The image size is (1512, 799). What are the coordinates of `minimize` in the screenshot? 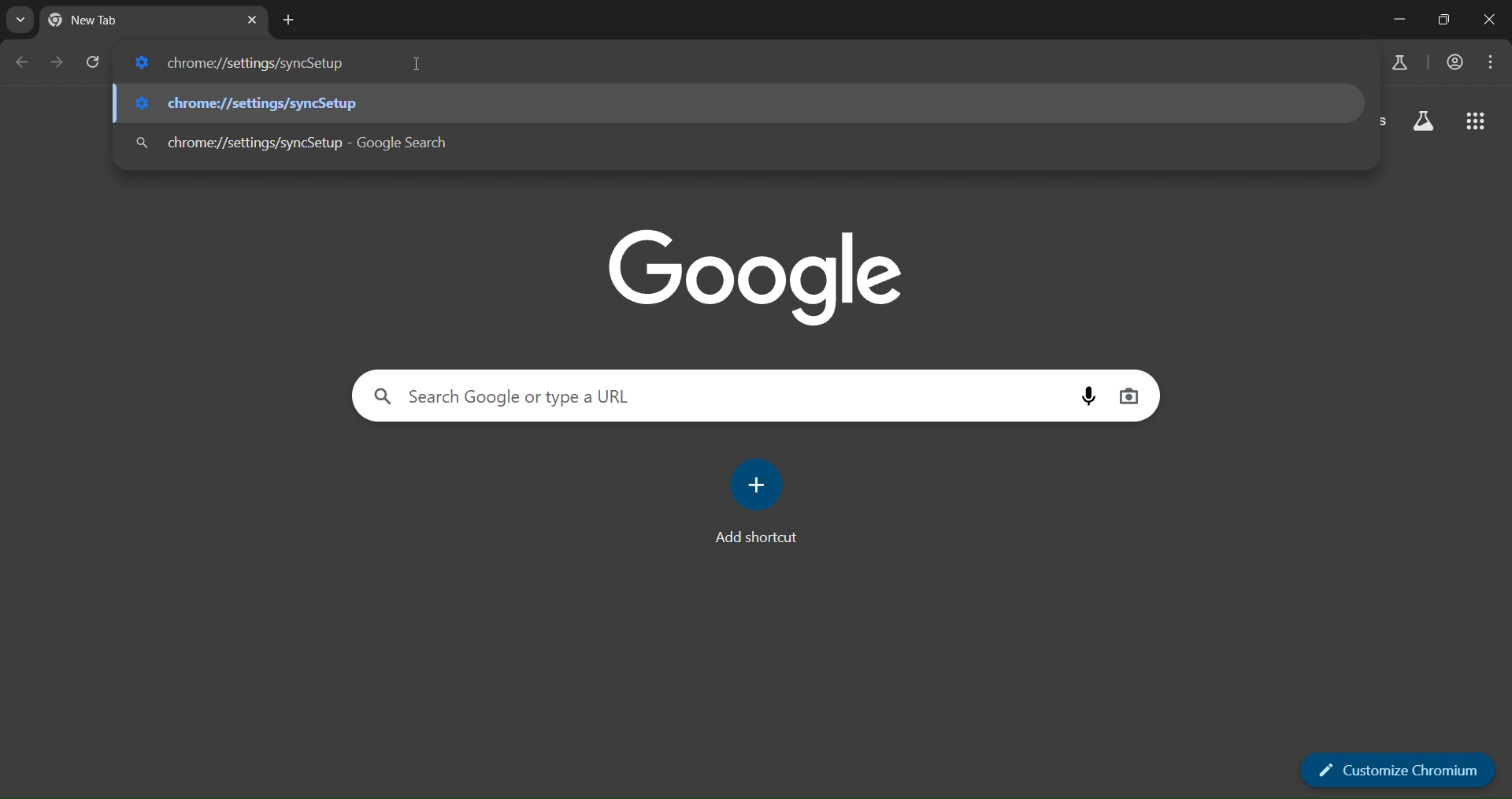 It's located at (1397, 19).